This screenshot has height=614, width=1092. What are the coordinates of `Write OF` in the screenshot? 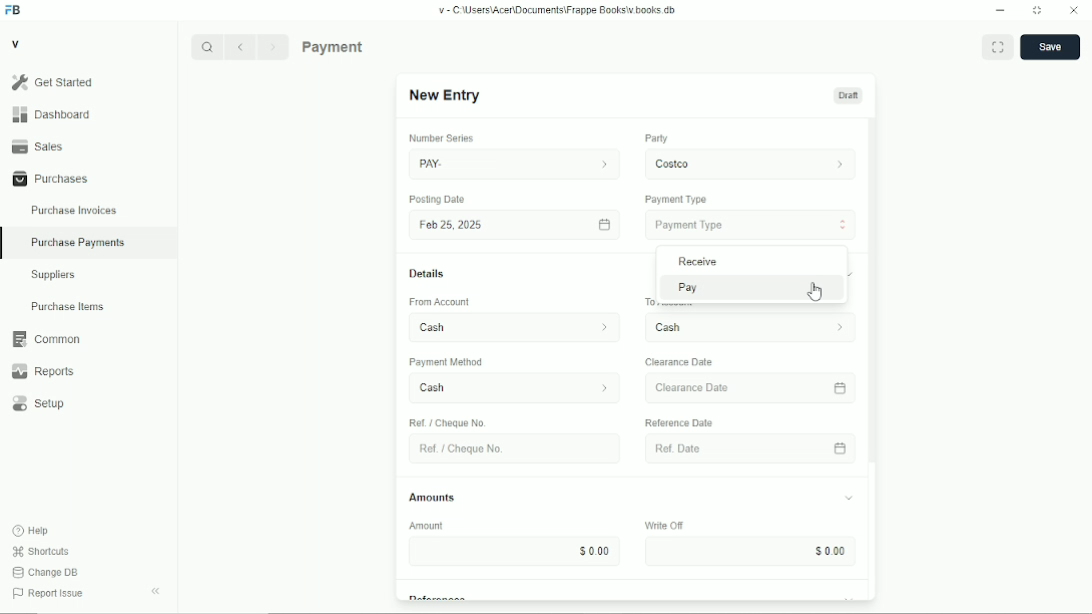 It's located at (659, 524).